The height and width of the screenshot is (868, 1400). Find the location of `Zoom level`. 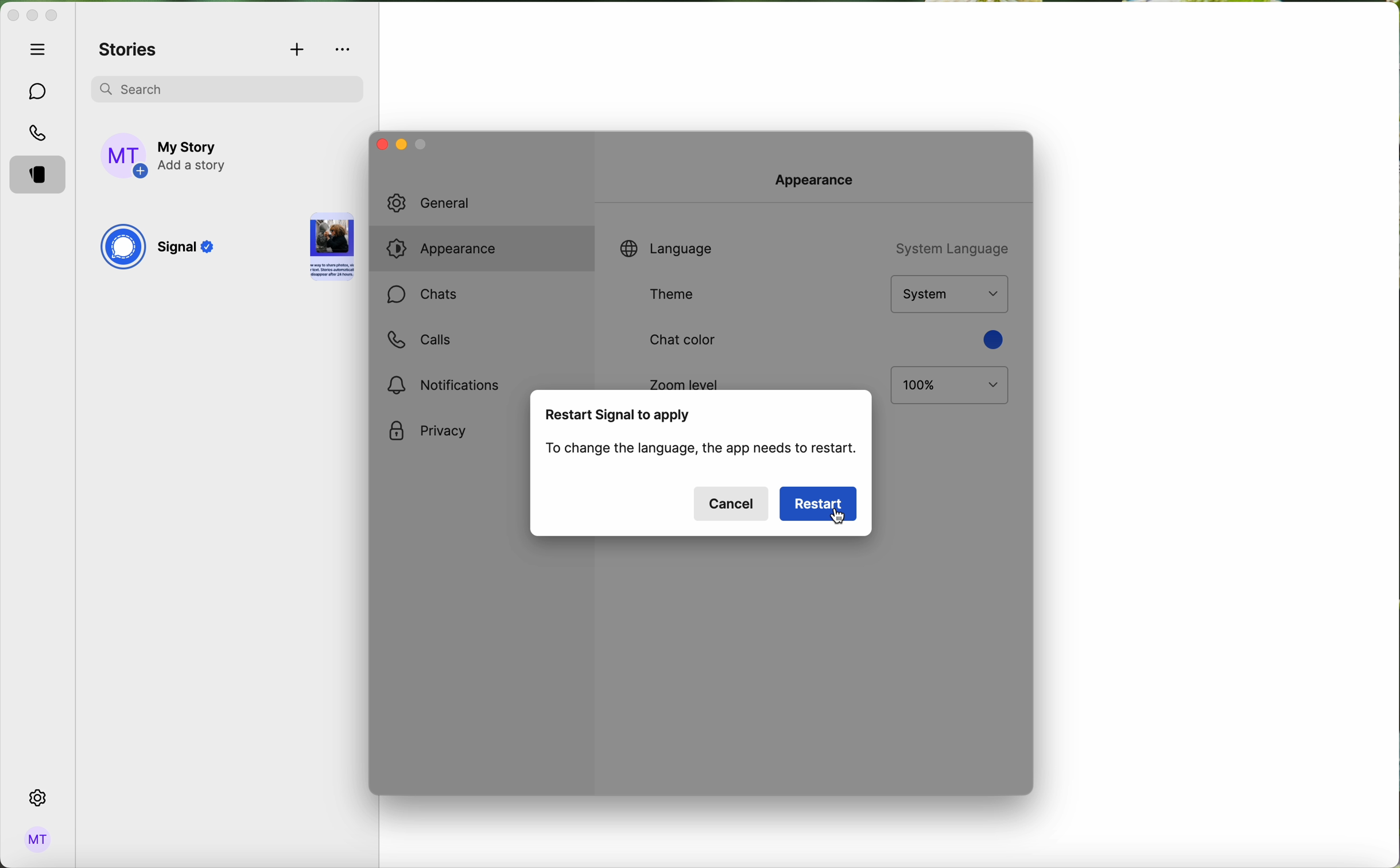

Zoom level is located at coordinates (685, 381).